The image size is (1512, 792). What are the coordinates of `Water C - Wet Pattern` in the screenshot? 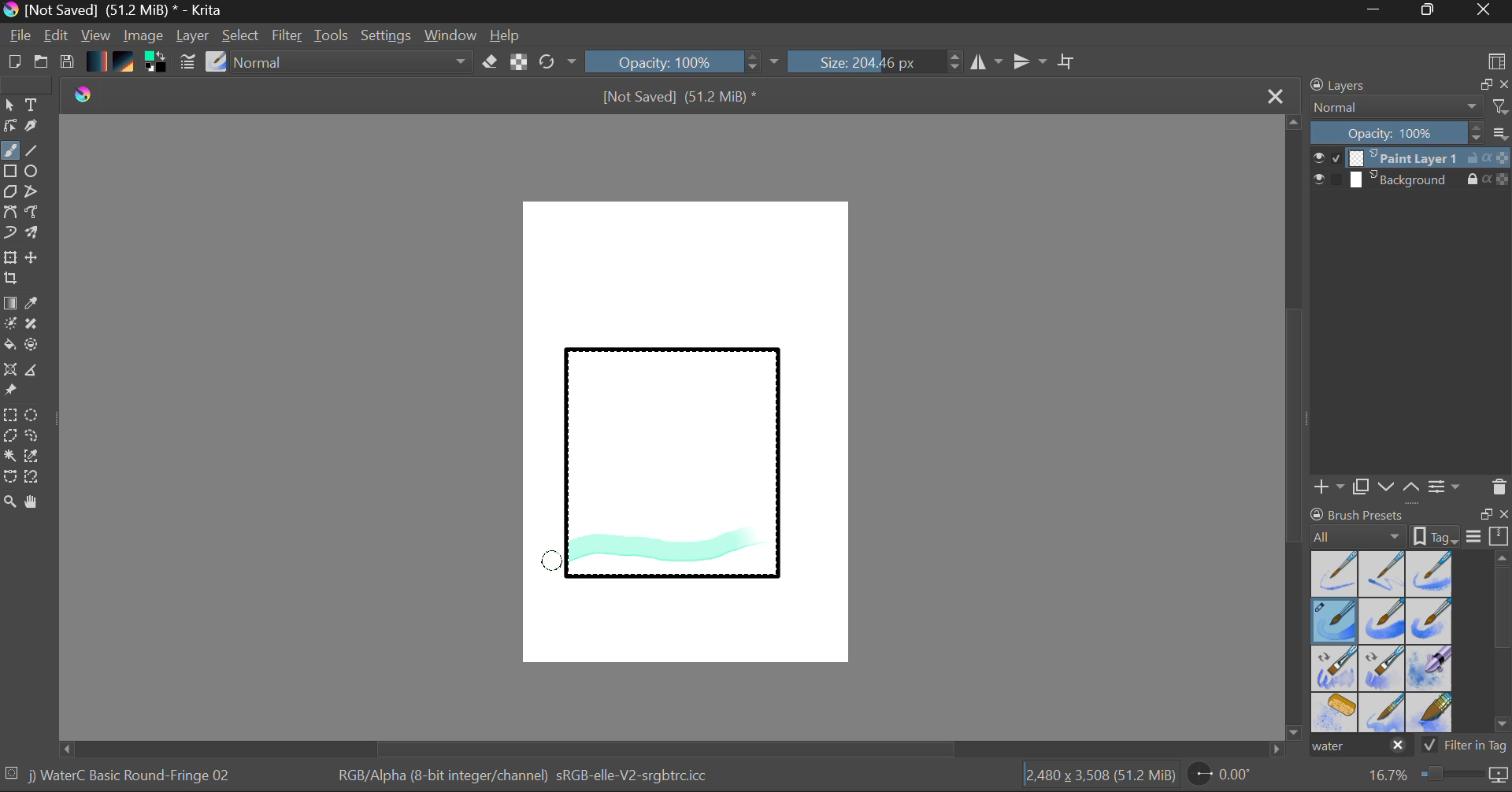 It's located at (1429, 574).